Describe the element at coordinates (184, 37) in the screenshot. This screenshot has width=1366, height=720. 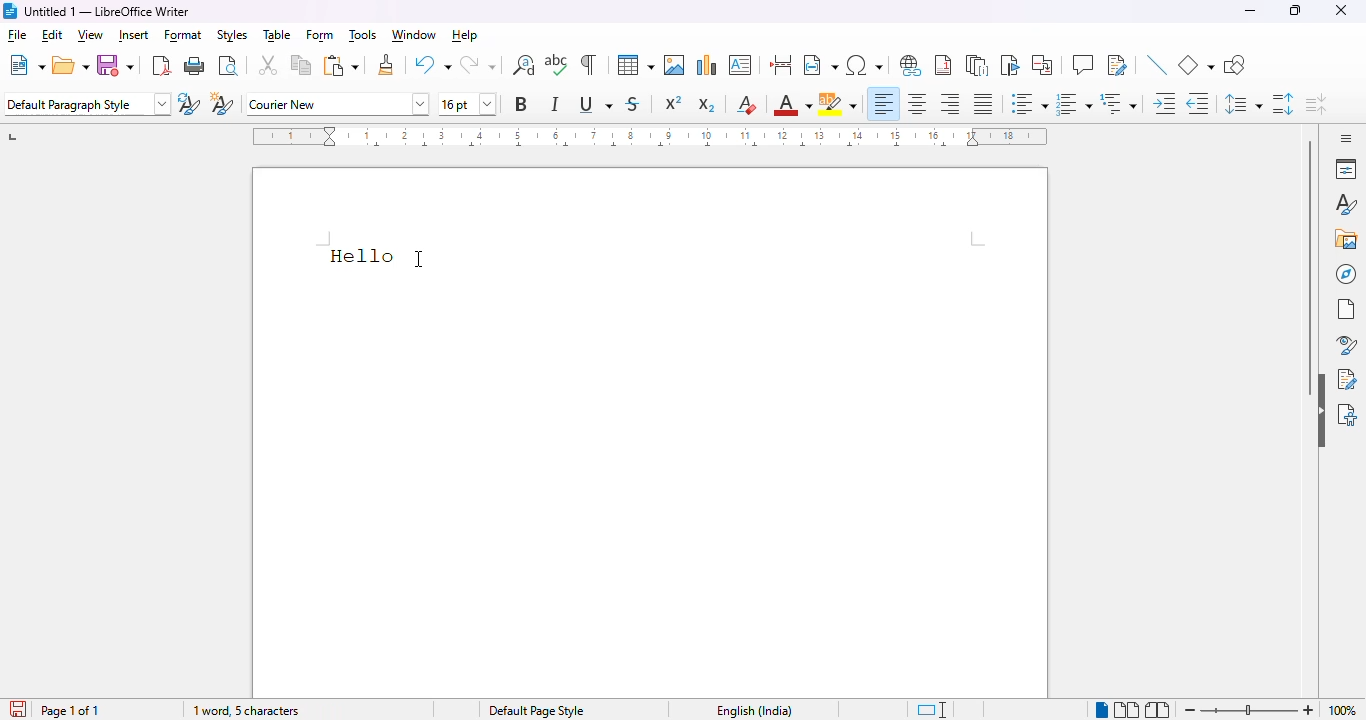
I see `format` at that location.